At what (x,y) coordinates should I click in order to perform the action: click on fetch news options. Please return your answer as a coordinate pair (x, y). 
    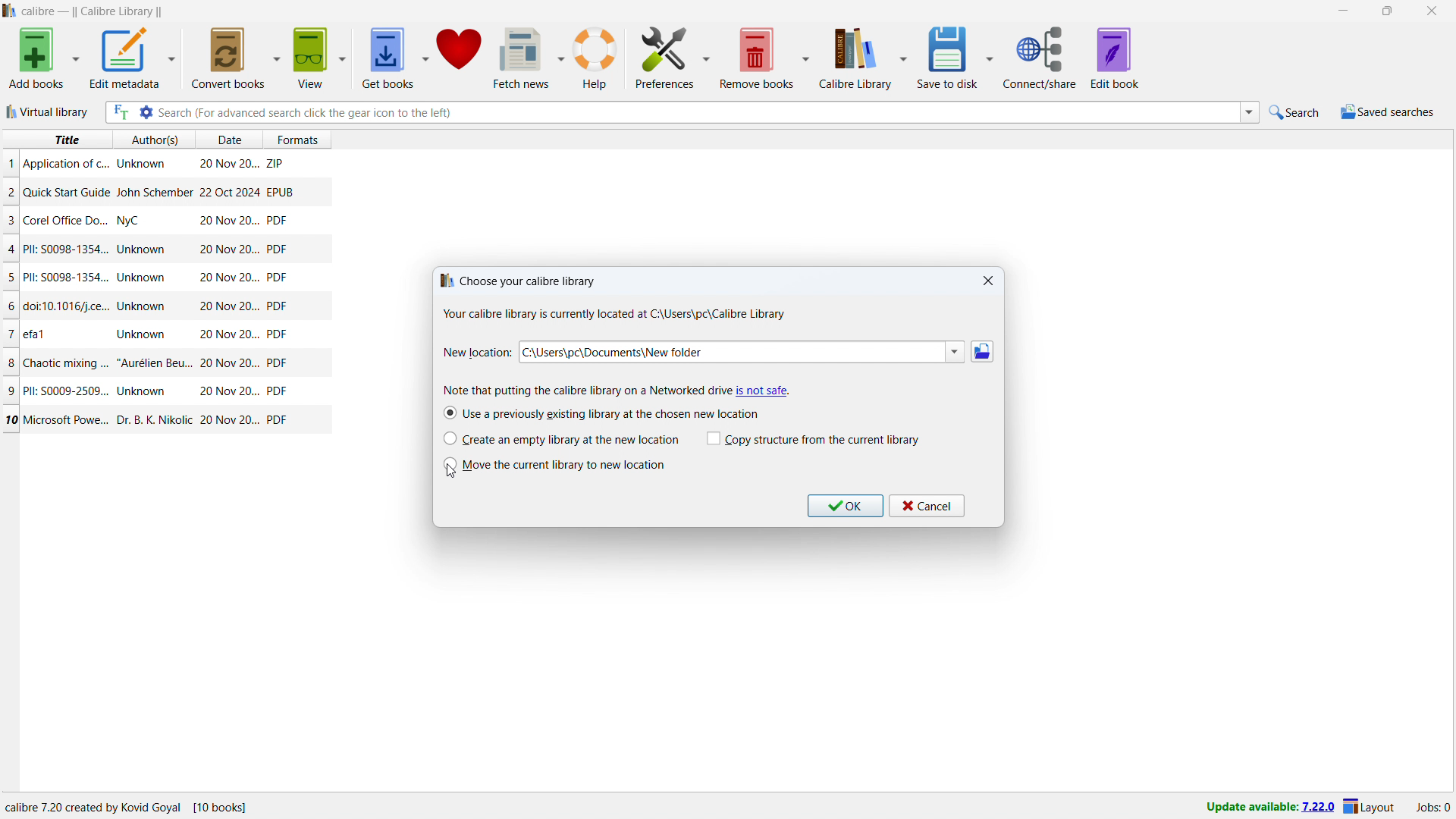
    Looking at the image, I should click on (563, 57).